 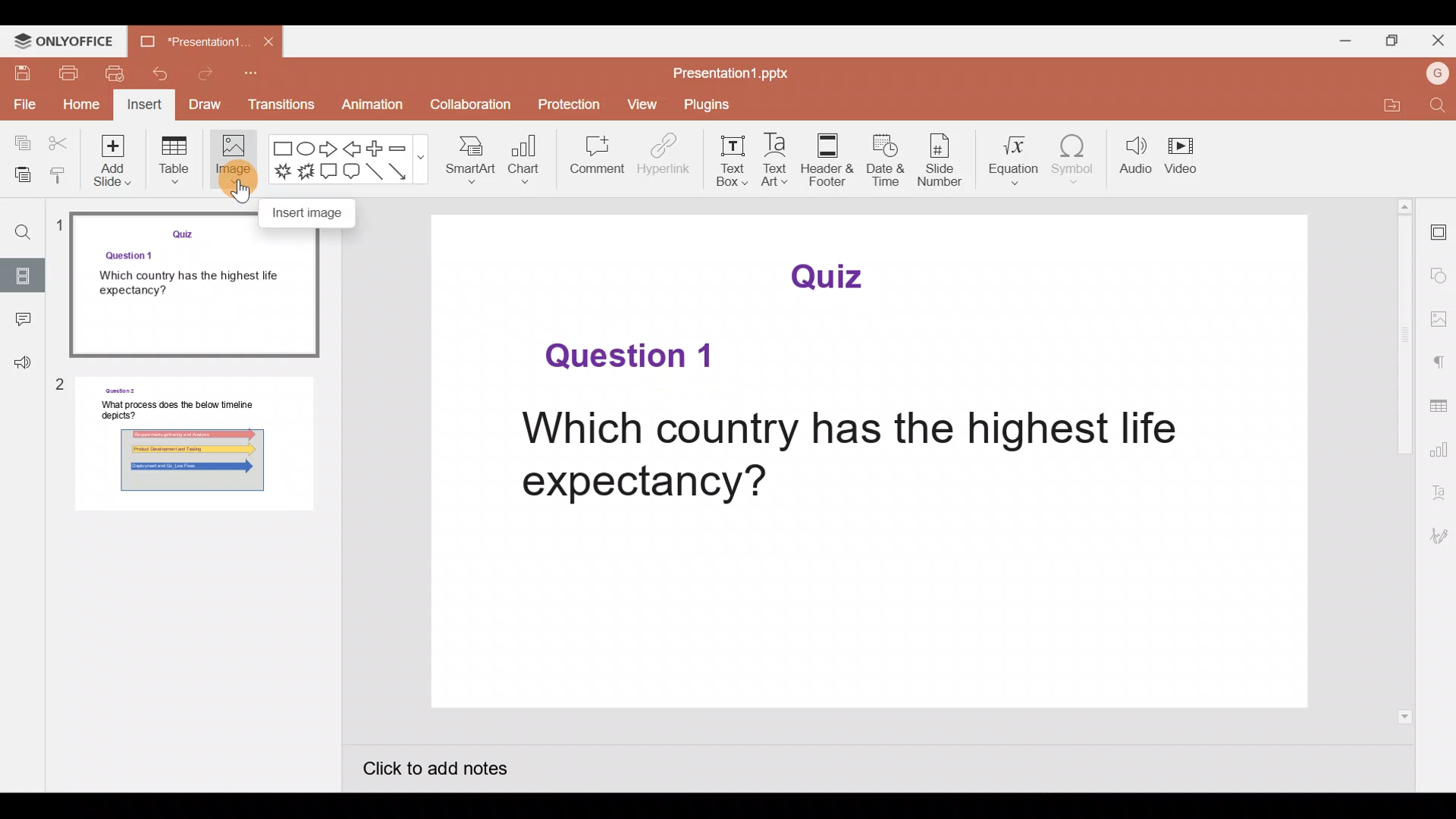 What do you see at coordinates (1437, 39) in the screenshot?
I see `Close` at bounding box center [1437, 39].